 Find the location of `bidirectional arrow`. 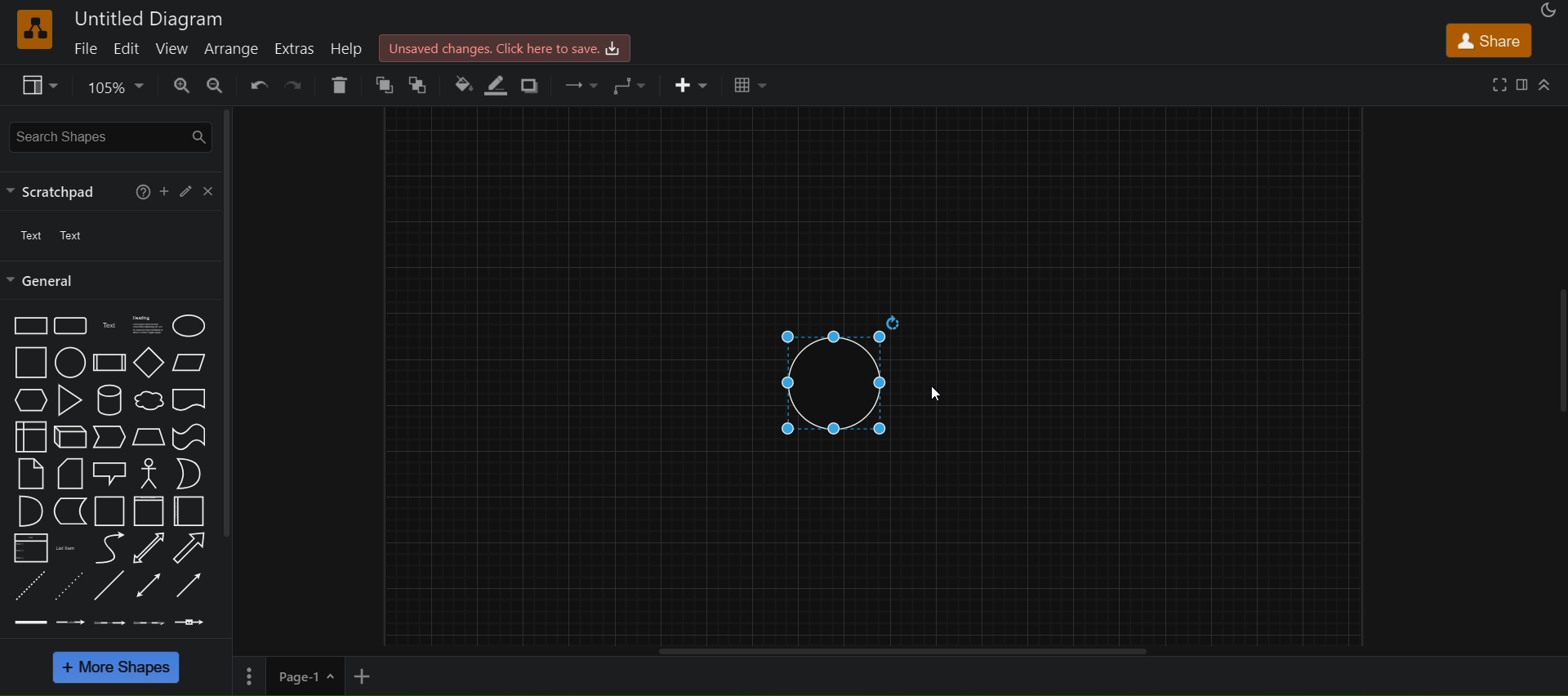

bidirectional arrow is located at coordinates (150, 549).